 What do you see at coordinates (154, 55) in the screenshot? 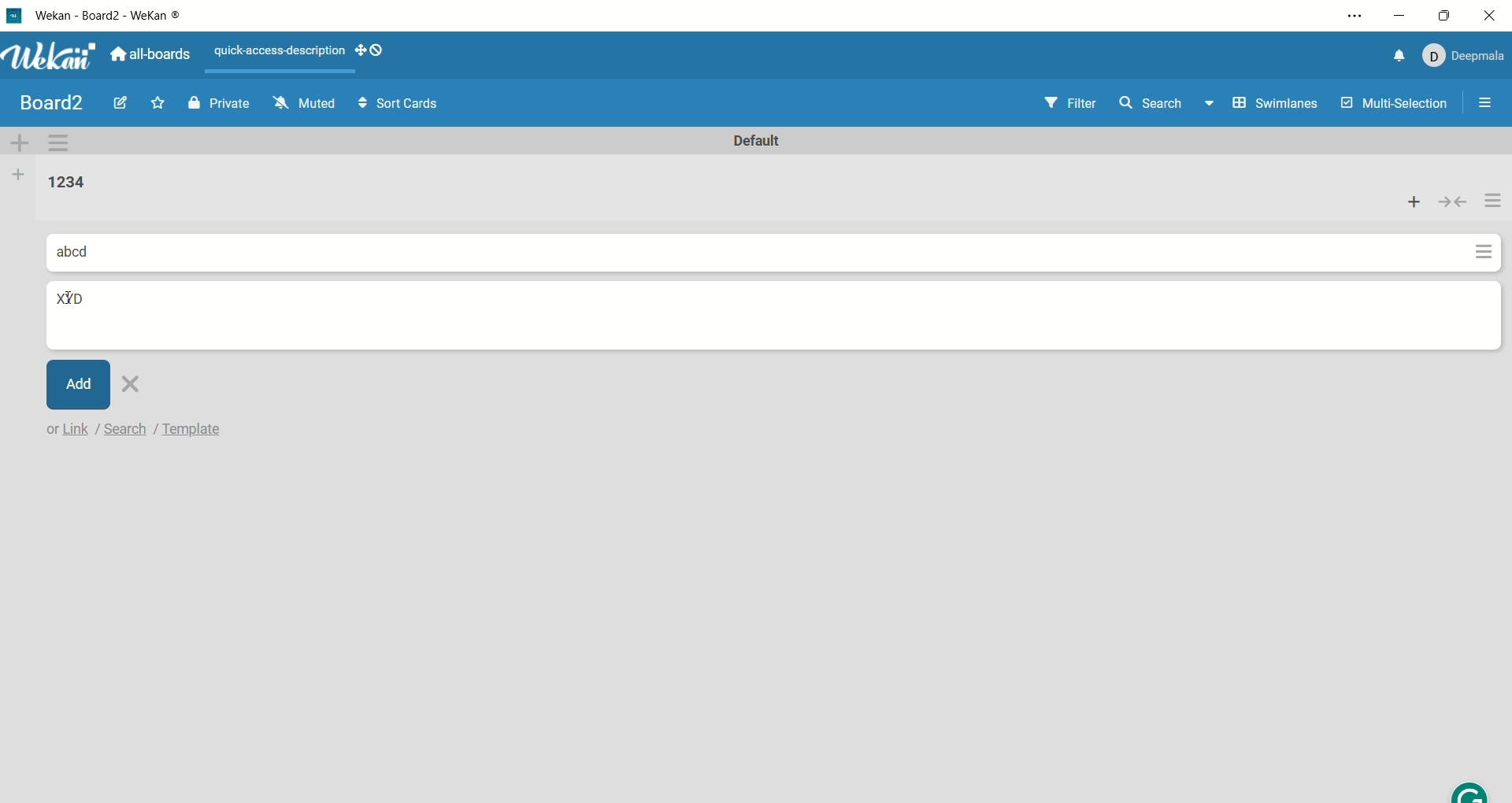
I see `all boards` at bounding box center [154, 55].